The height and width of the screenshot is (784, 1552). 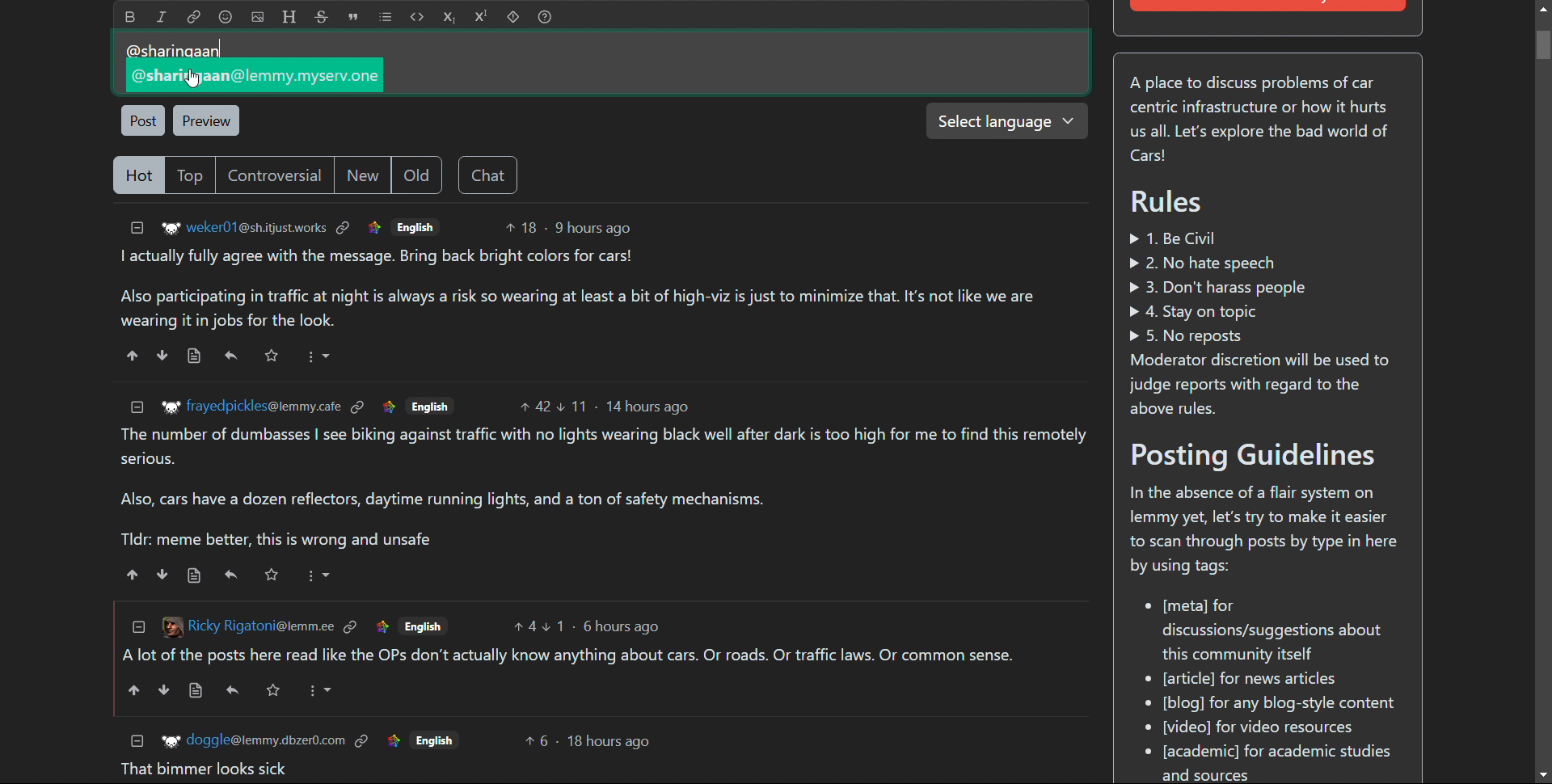 What do you see at coordinates (318, 575) in the screenshot?
I see `More` at bounding box center [318, 575].